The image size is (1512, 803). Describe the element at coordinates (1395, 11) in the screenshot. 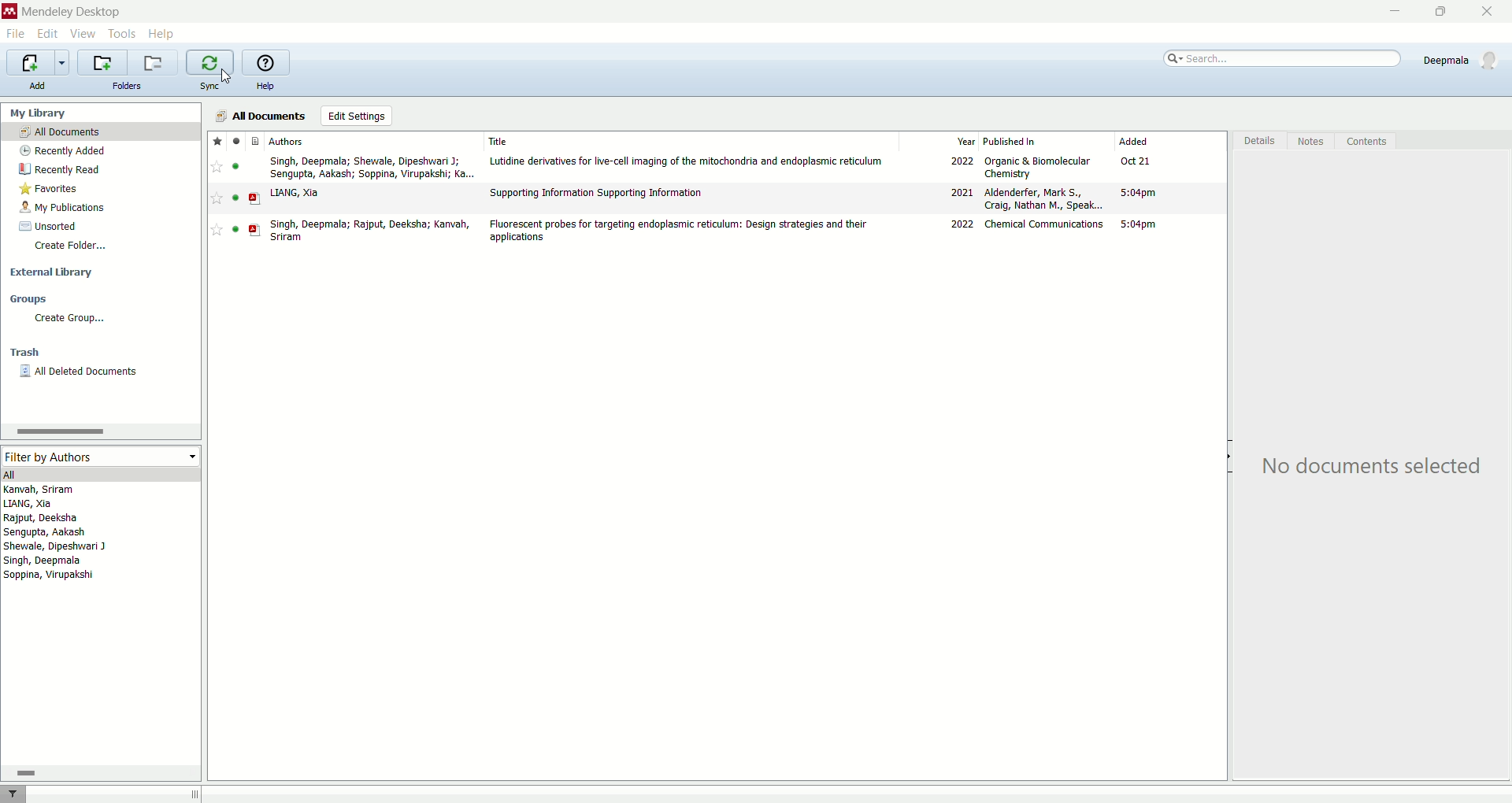

I see `minimize` at that location.